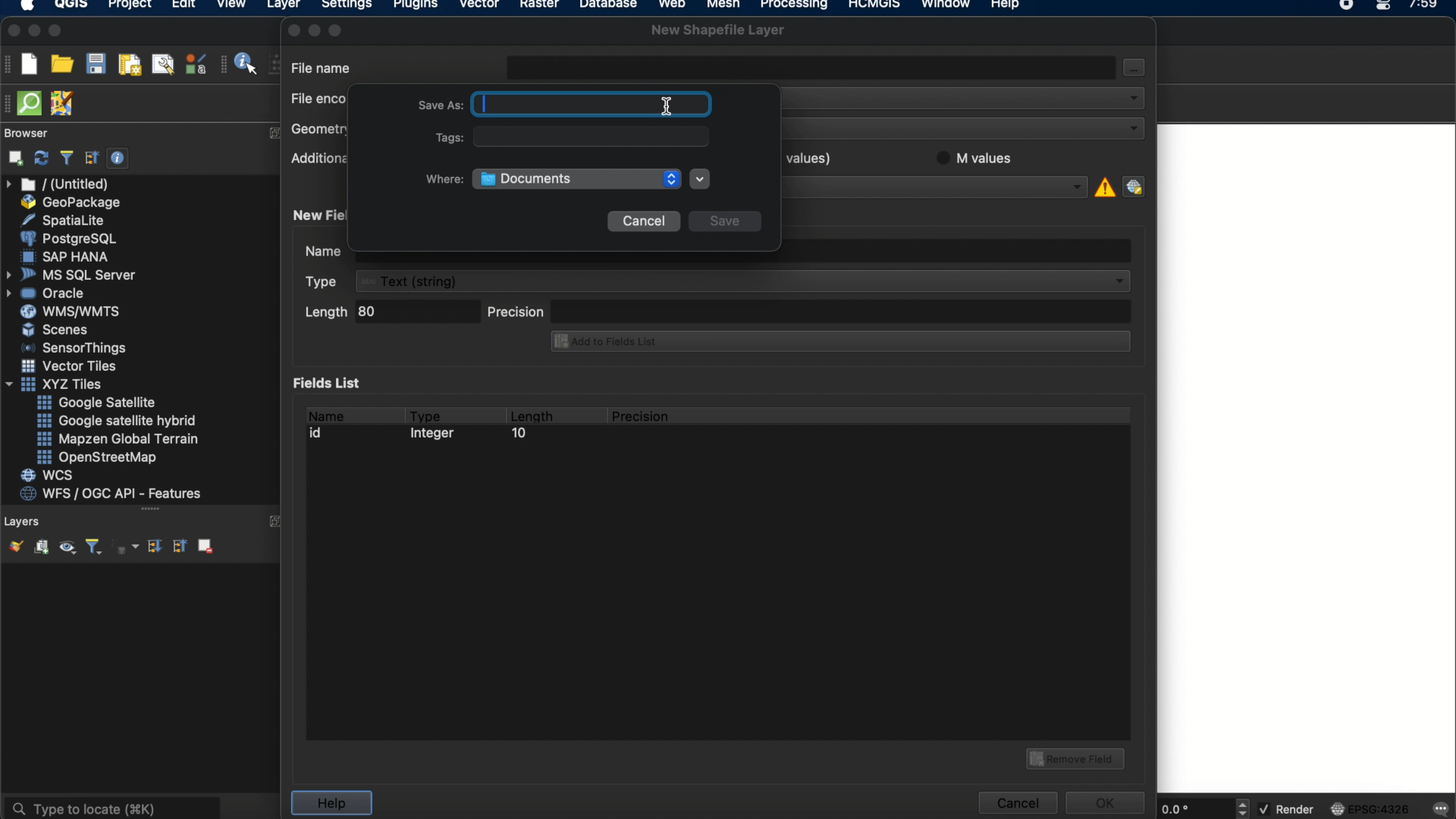 This screenshot has width=1456, height=819. What do you see at coordinates (118, 439) in the screenshot?
I see `mapzen global terrain` at bounding box center [118, 439].